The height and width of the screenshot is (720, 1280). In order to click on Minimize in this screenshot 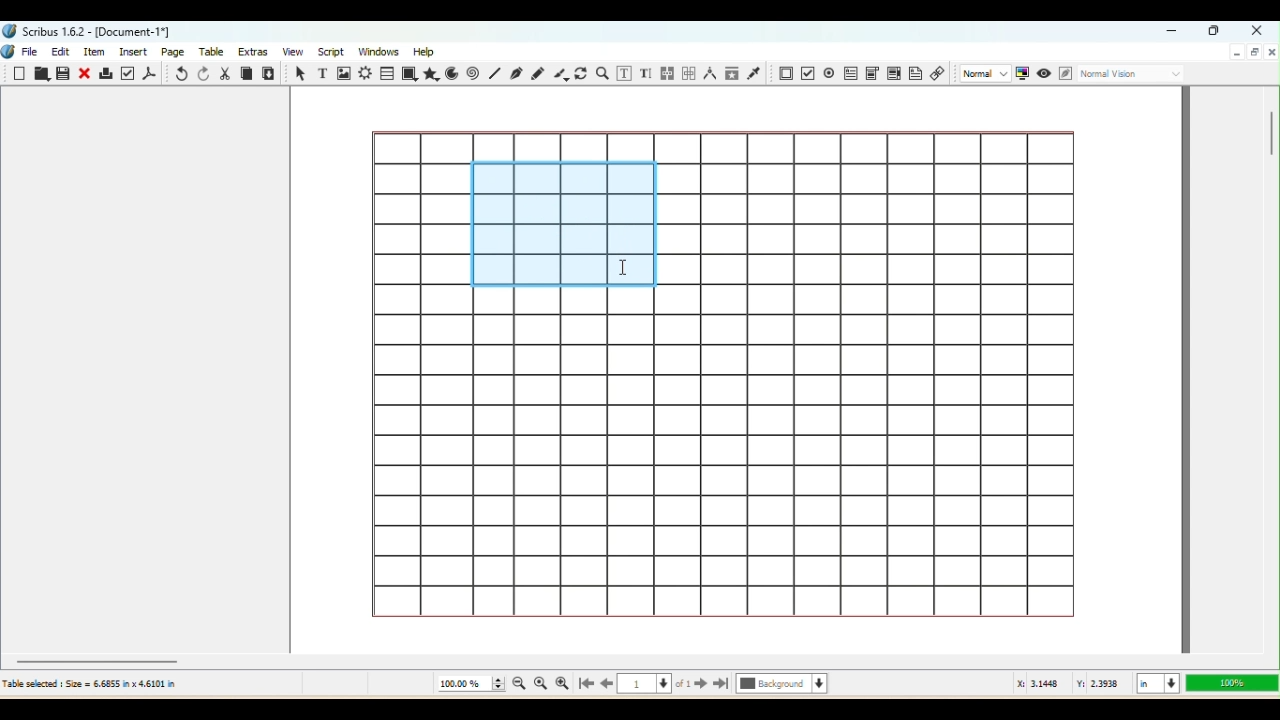, I will do `click(1175, 32)`.